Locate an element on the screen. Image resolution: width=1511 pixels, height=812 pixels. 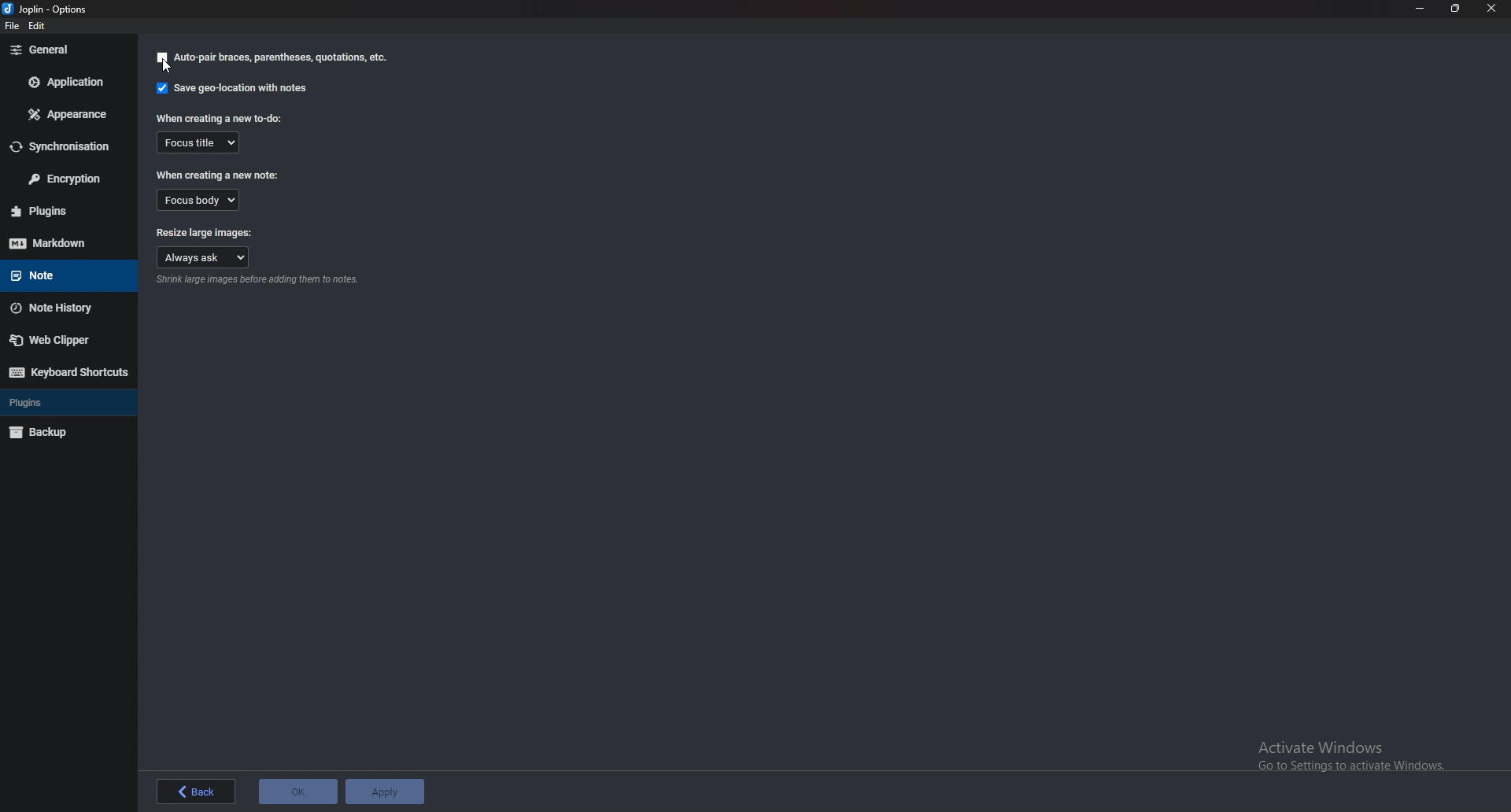
always ask is located at coordinates (205, 256).